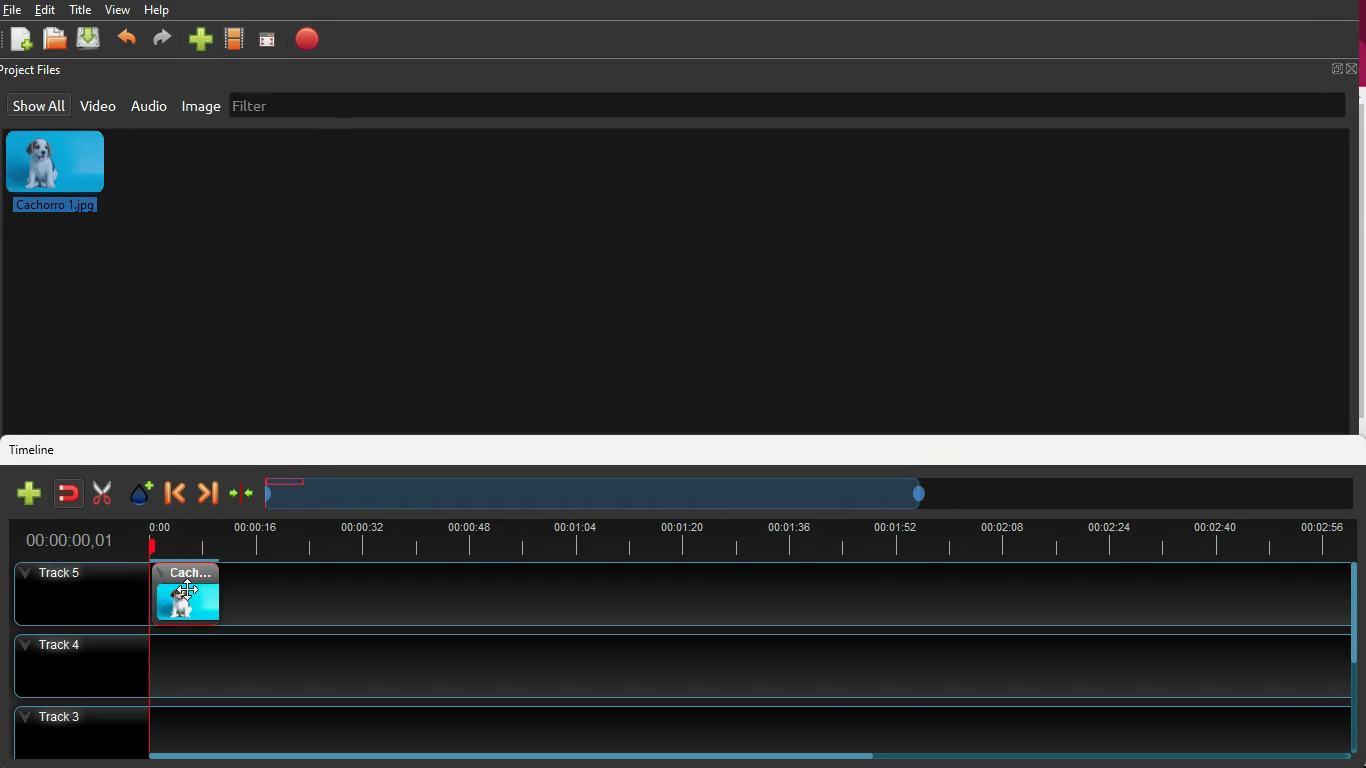 Image resolution: width=1366 pixels, height=768 pixels. What do you see at coordinates (81, 8) in the screenshot?
I see `title` at bounding box center [81, 8].